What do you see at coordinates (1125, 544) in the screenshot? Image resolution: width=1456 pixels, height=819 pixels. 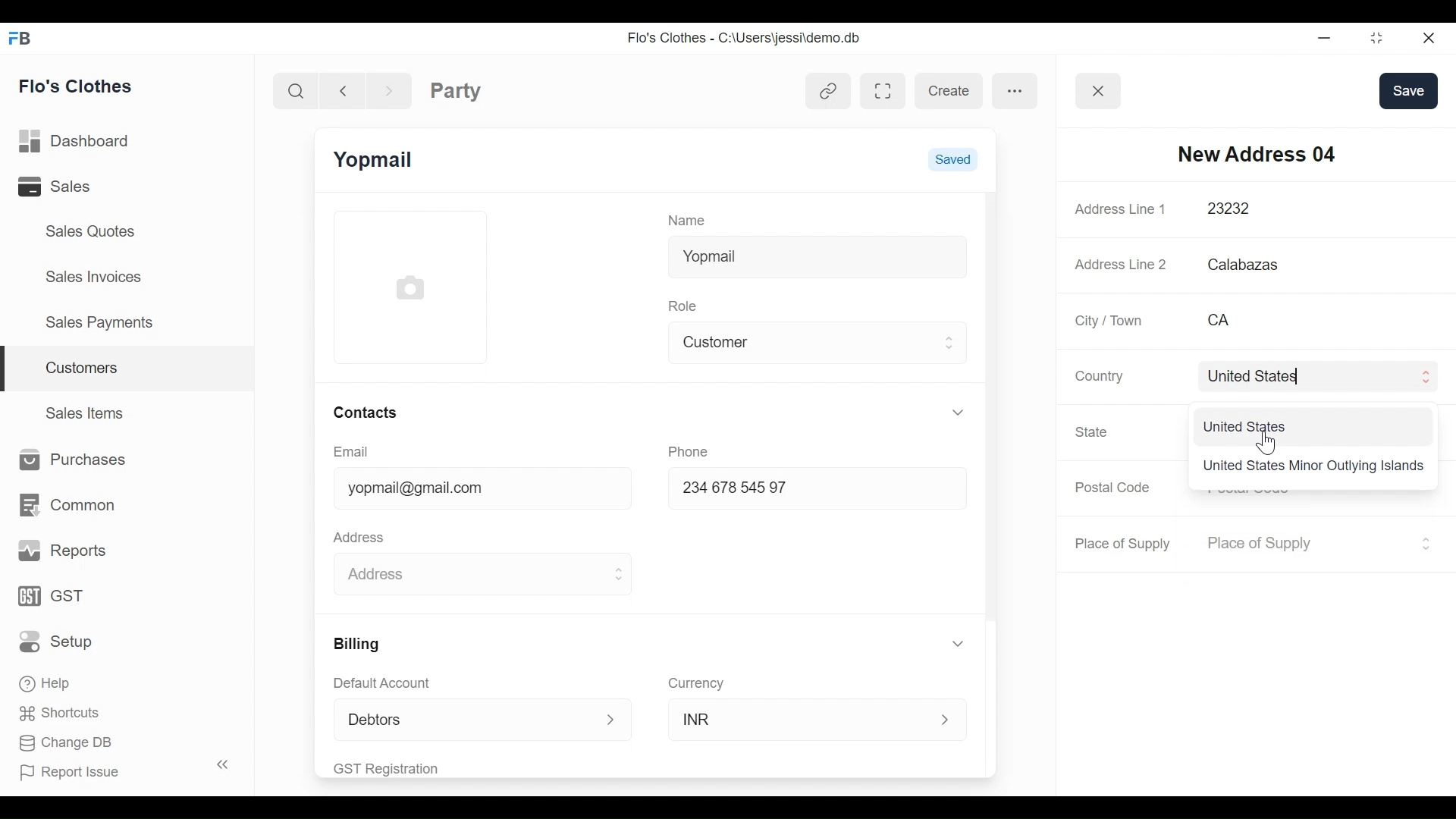 I see `Place of Supply` at bounding box center [1125, 544].